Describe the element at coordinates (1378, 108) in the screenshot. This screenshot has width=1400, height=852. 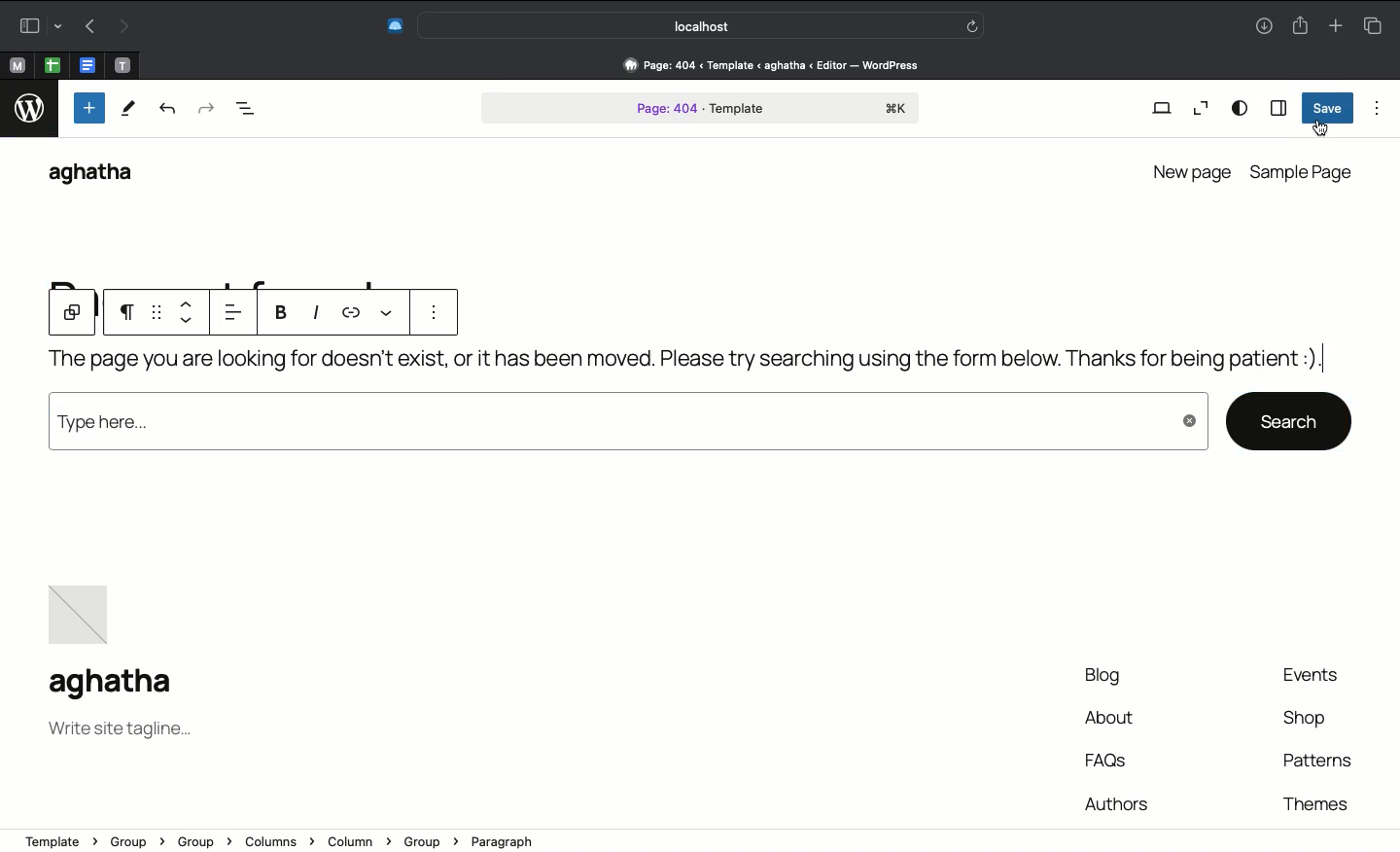
I see `Options` at that location.